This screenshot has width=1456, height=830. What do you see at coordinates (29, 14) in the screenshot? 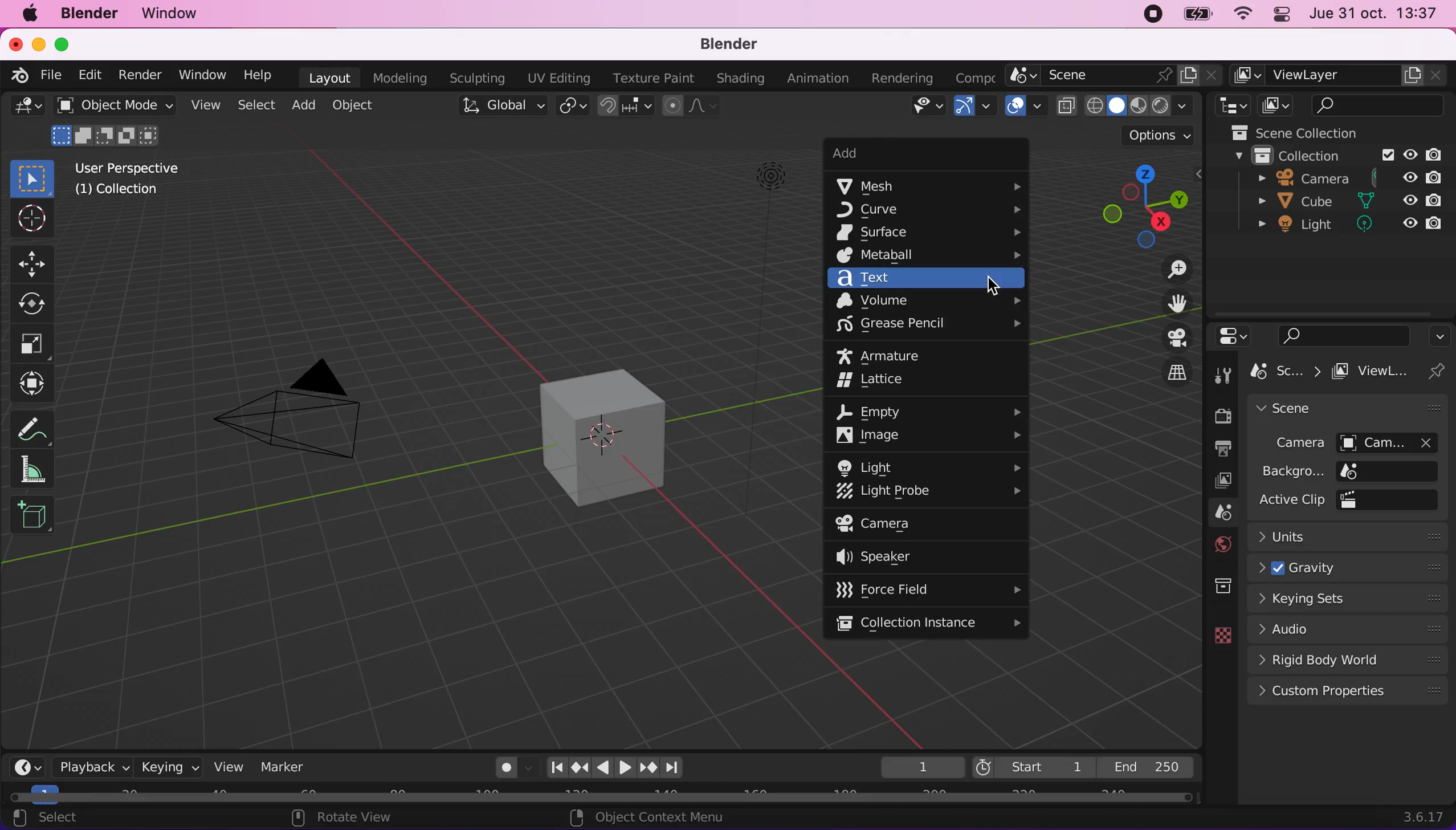
I see `mac logo` at bounding box center [29, 14].